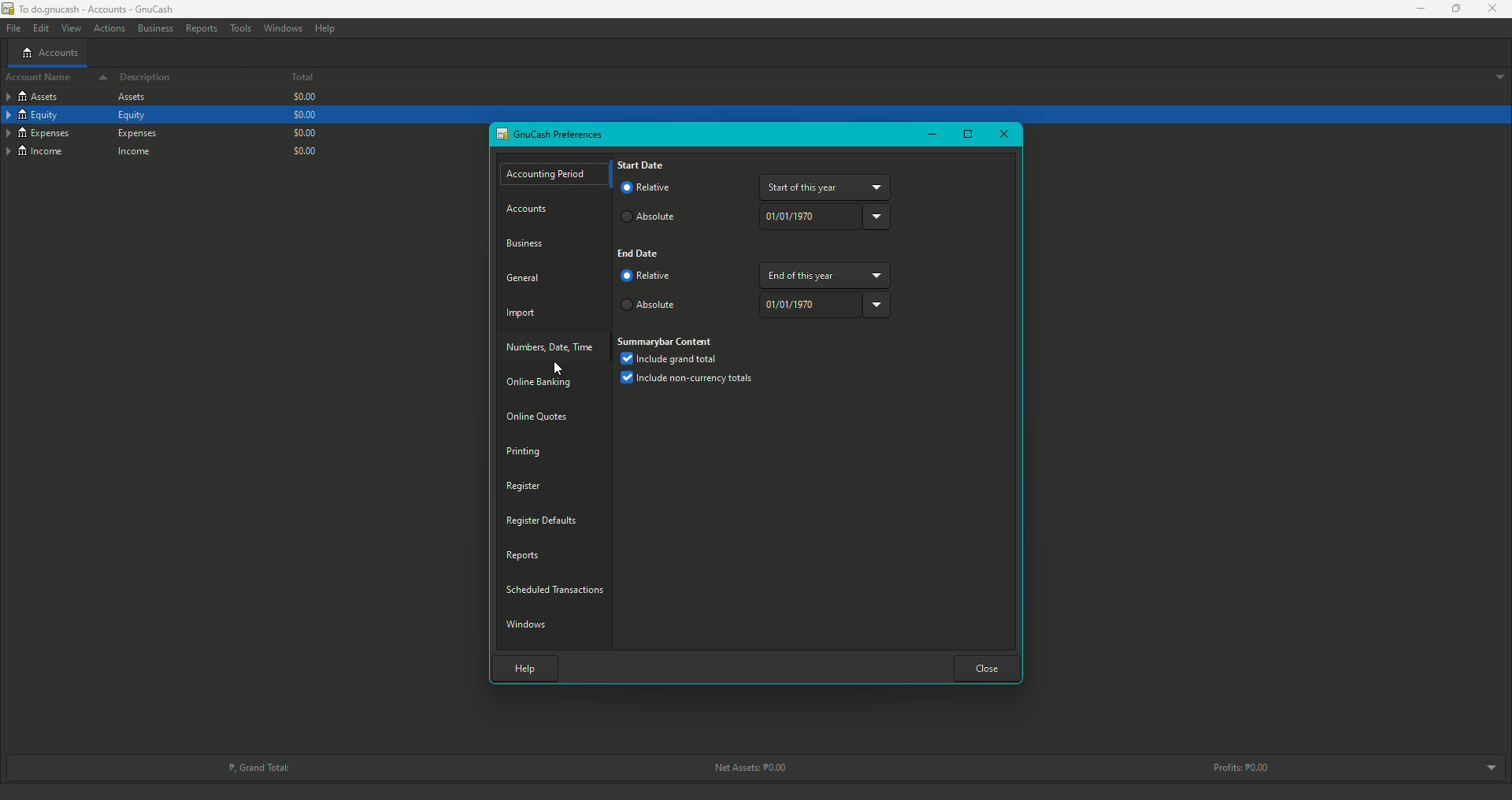  What do you see at coordinates (543, 520) in the screenshot?
I see `Registered Defaults` at bounding box center [543, 520].